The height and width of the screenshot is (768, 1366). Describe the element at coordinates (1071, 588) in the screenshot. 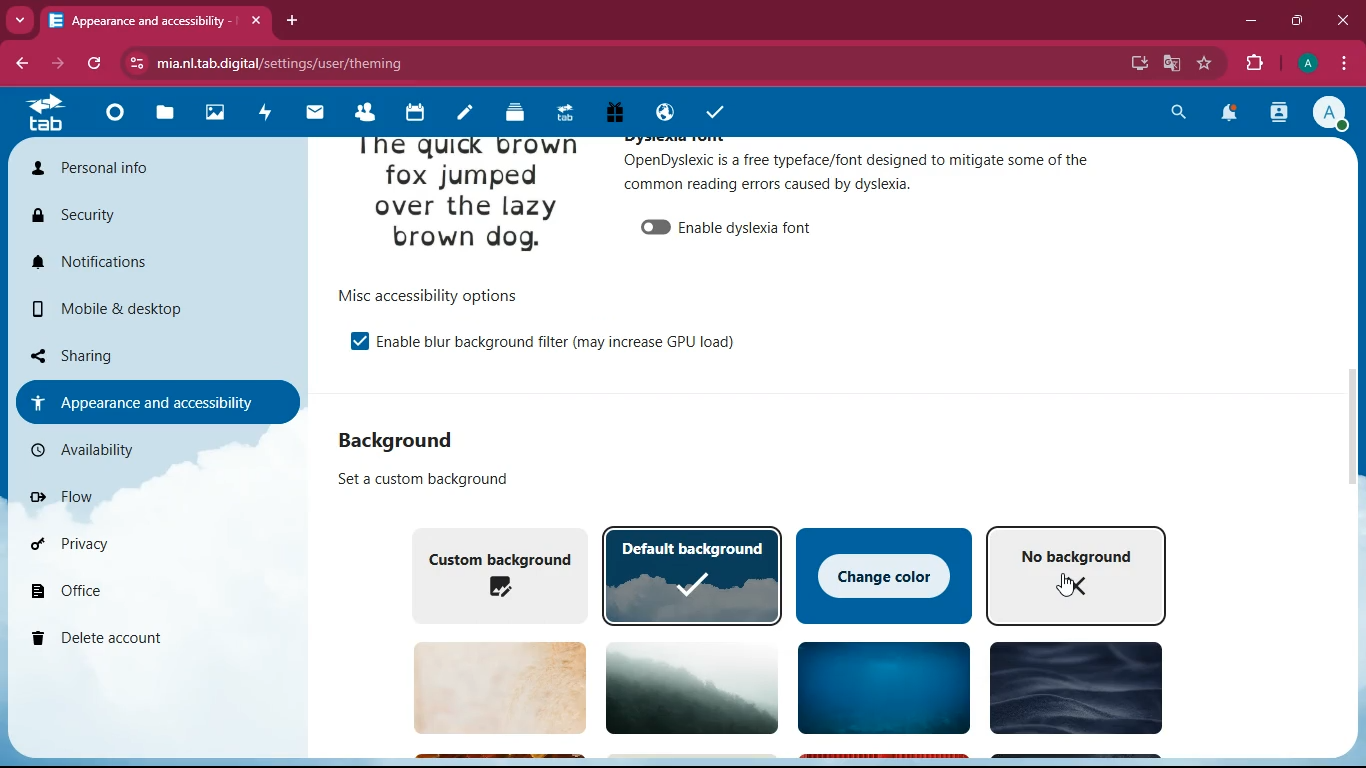

I see `cursor` at that location.